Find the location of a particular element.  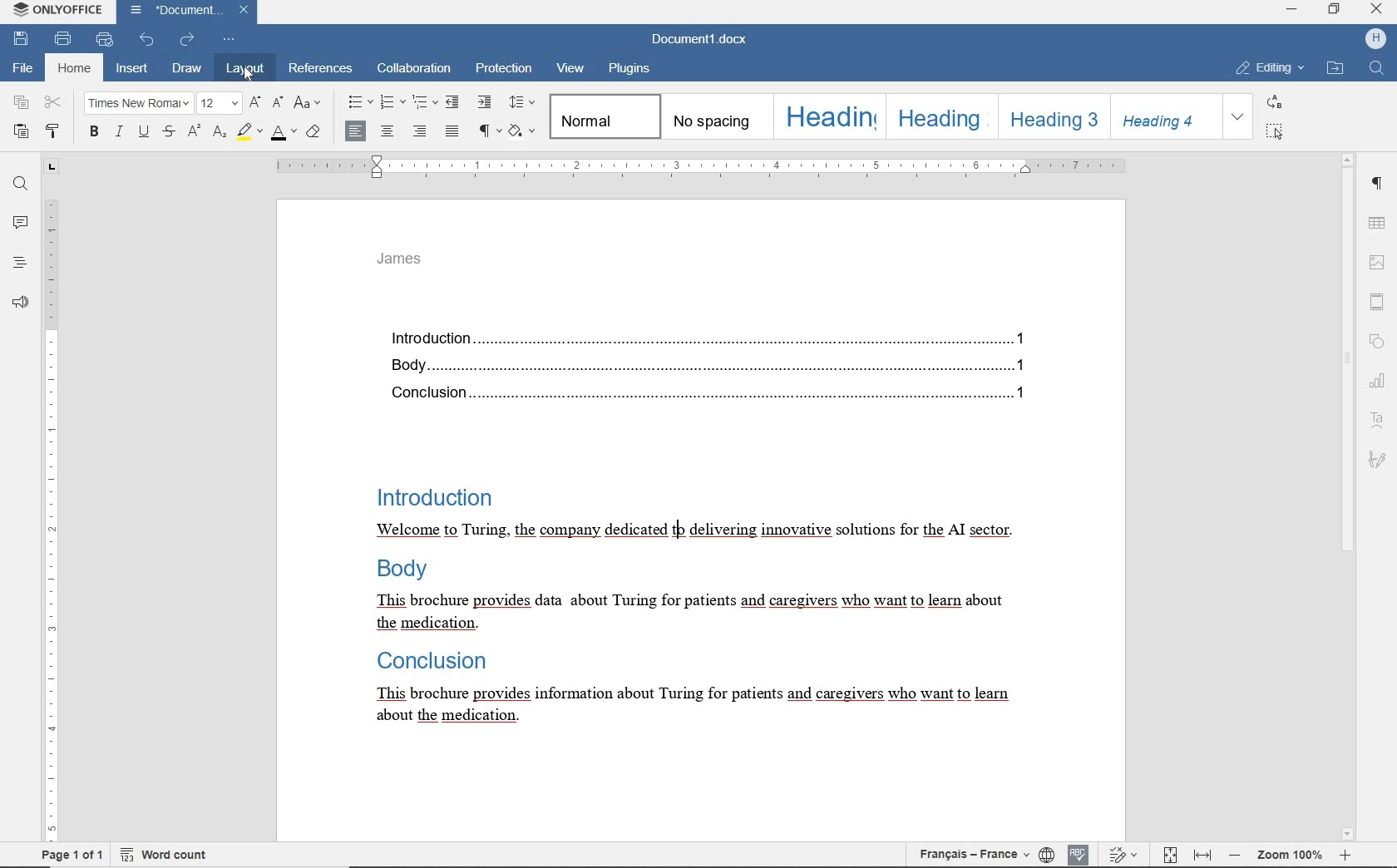

customize quick access toolbar is located at coordinates (229, 39).